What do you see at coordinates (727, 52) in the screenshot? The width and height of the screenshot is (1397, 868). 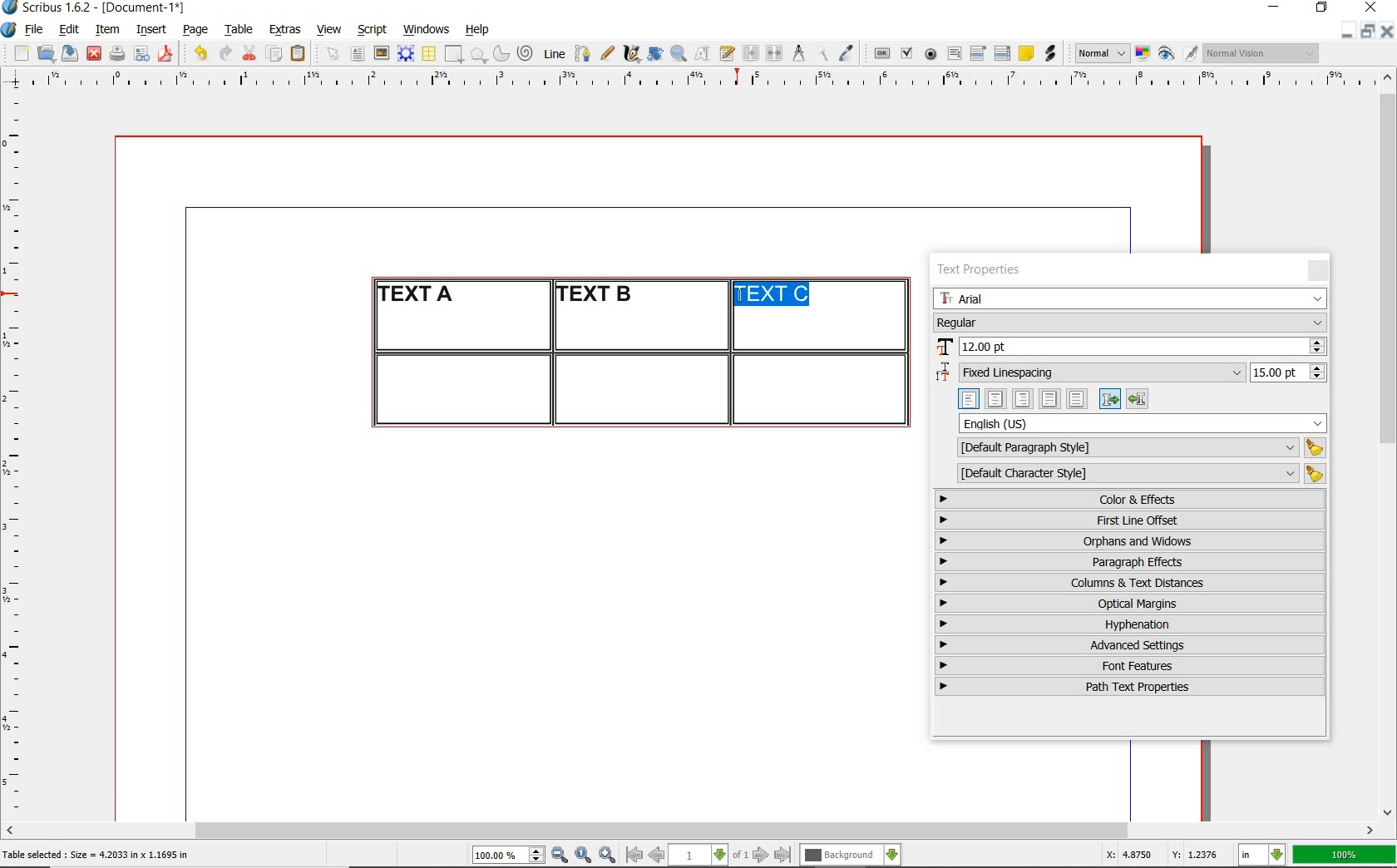 I see `edit text with story editor` at bounding box center [727, 52].